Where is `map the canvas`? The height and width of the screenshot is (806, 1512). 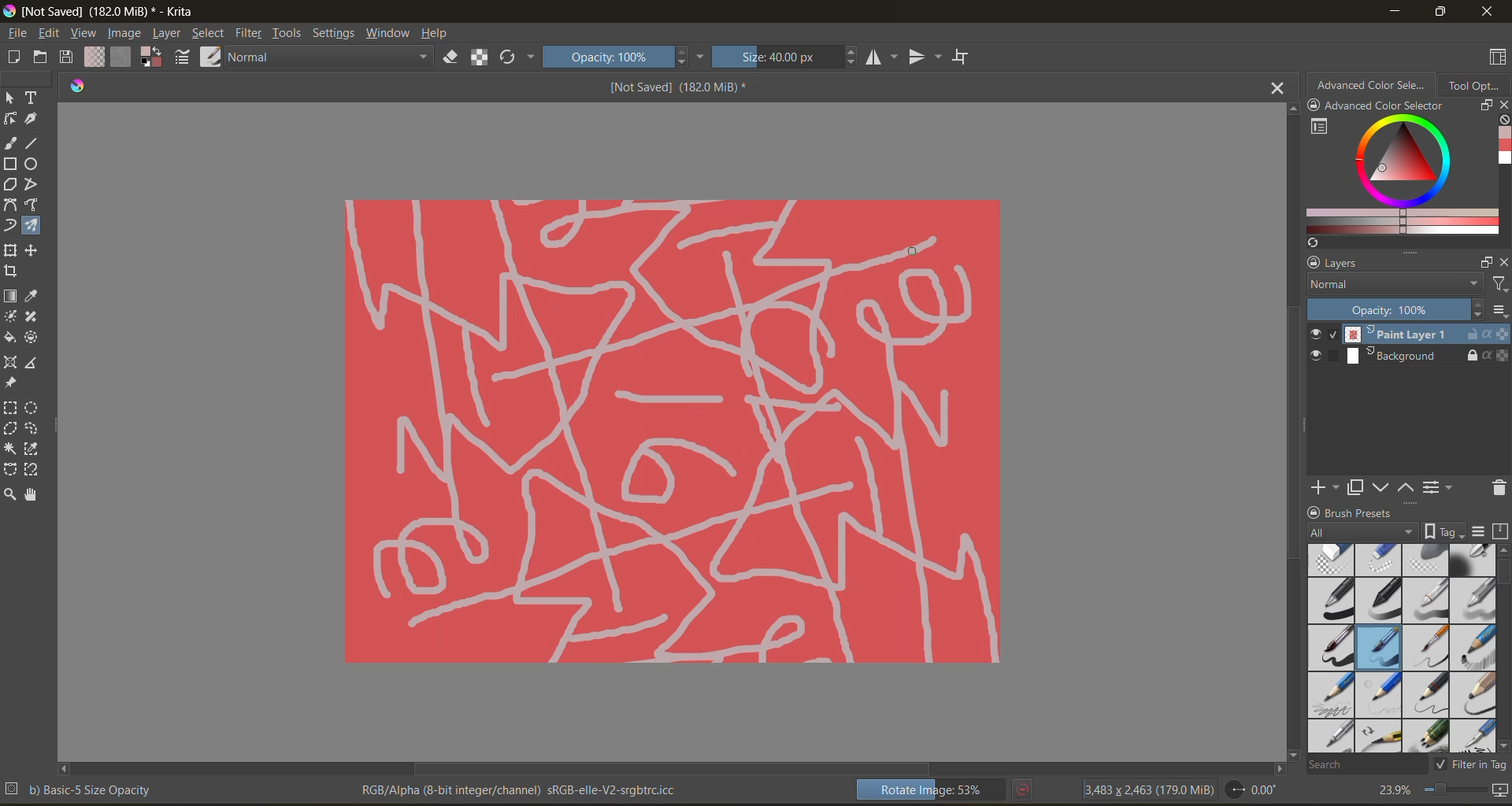
map the canvas is located at coordinates (1499, 790).